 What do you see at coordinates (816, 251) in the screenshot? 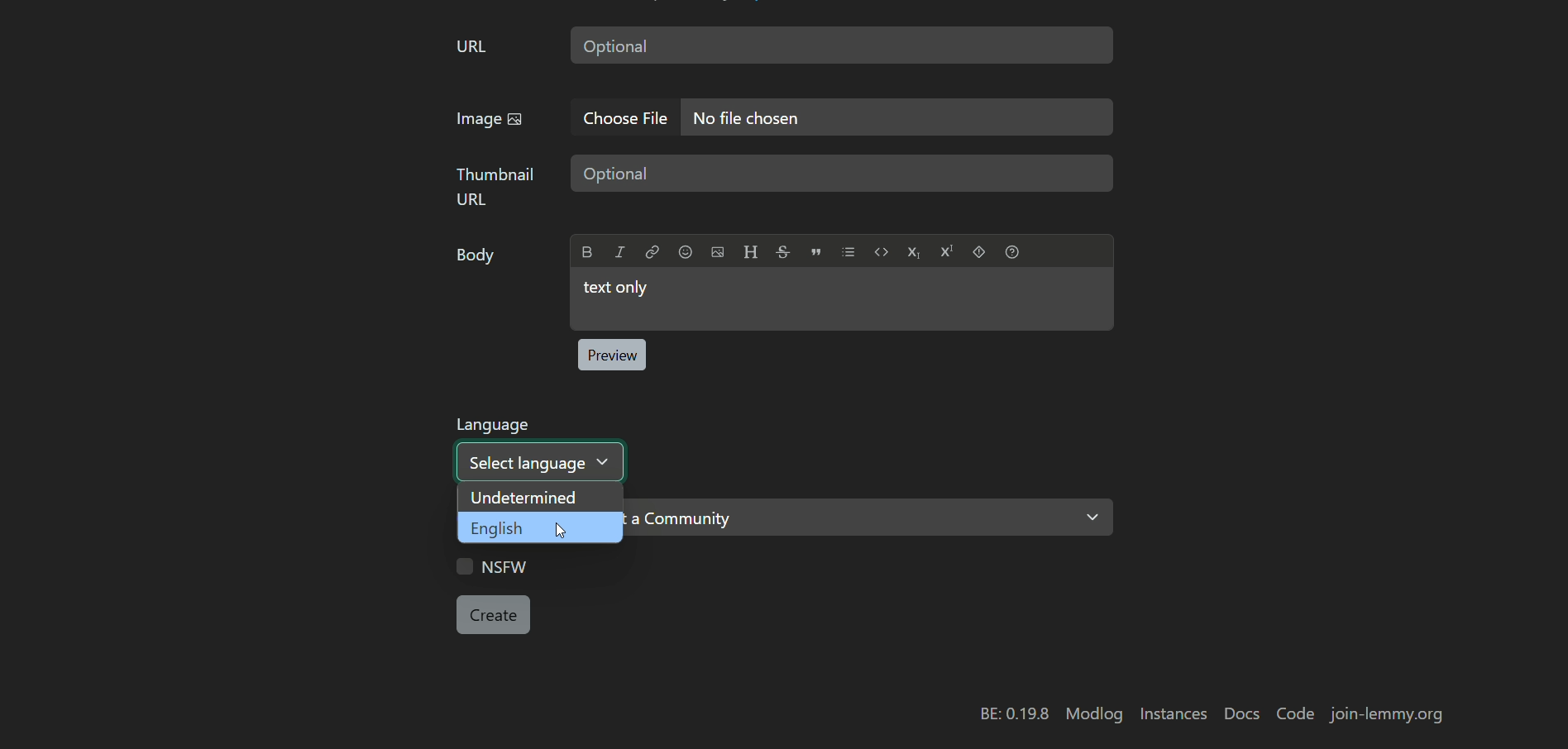
I see `Quote` at bounding box center [816, 251].